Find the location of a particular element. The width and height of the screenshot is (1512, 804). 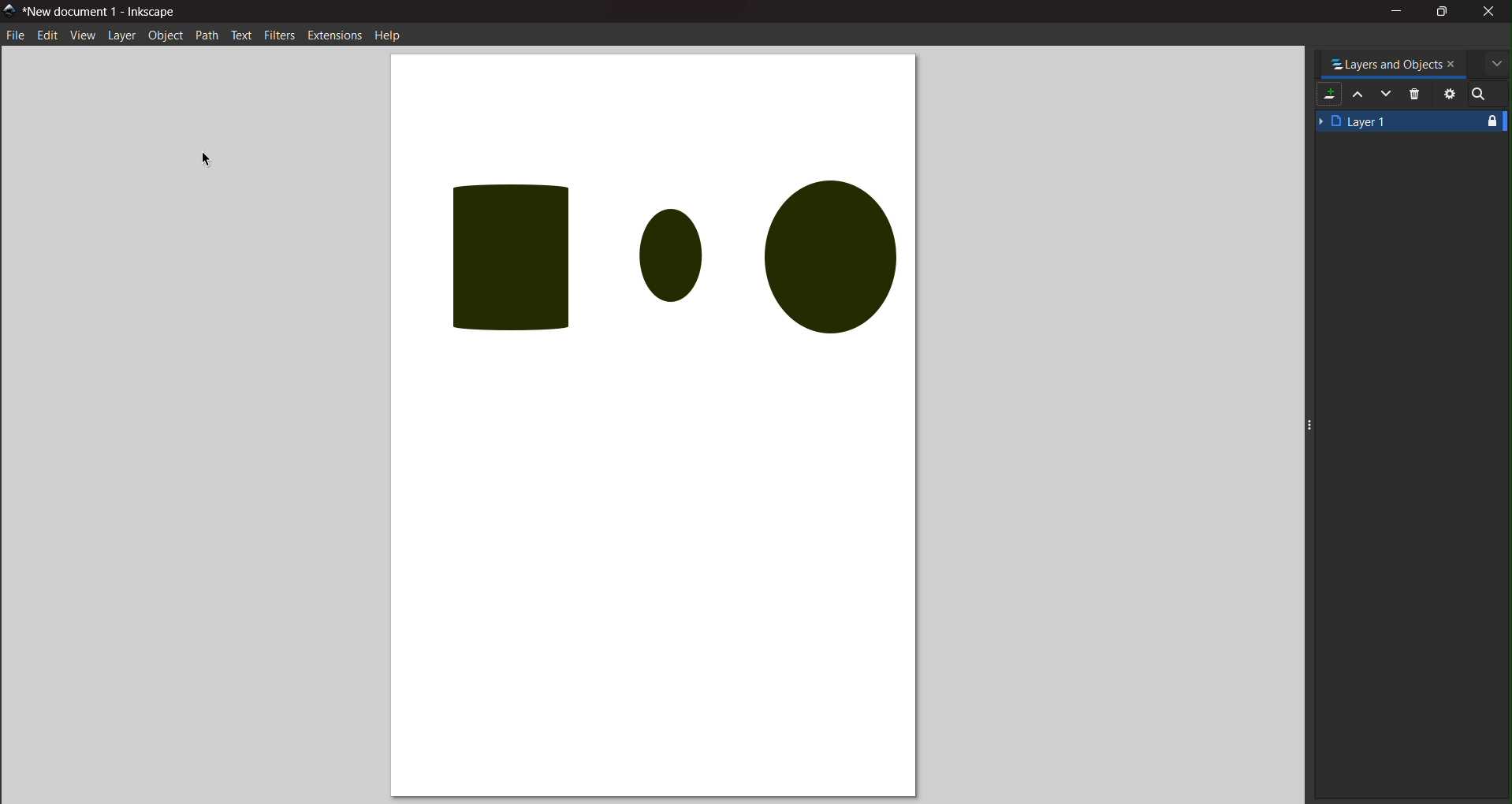

layer is located at coordinates (121, 35).